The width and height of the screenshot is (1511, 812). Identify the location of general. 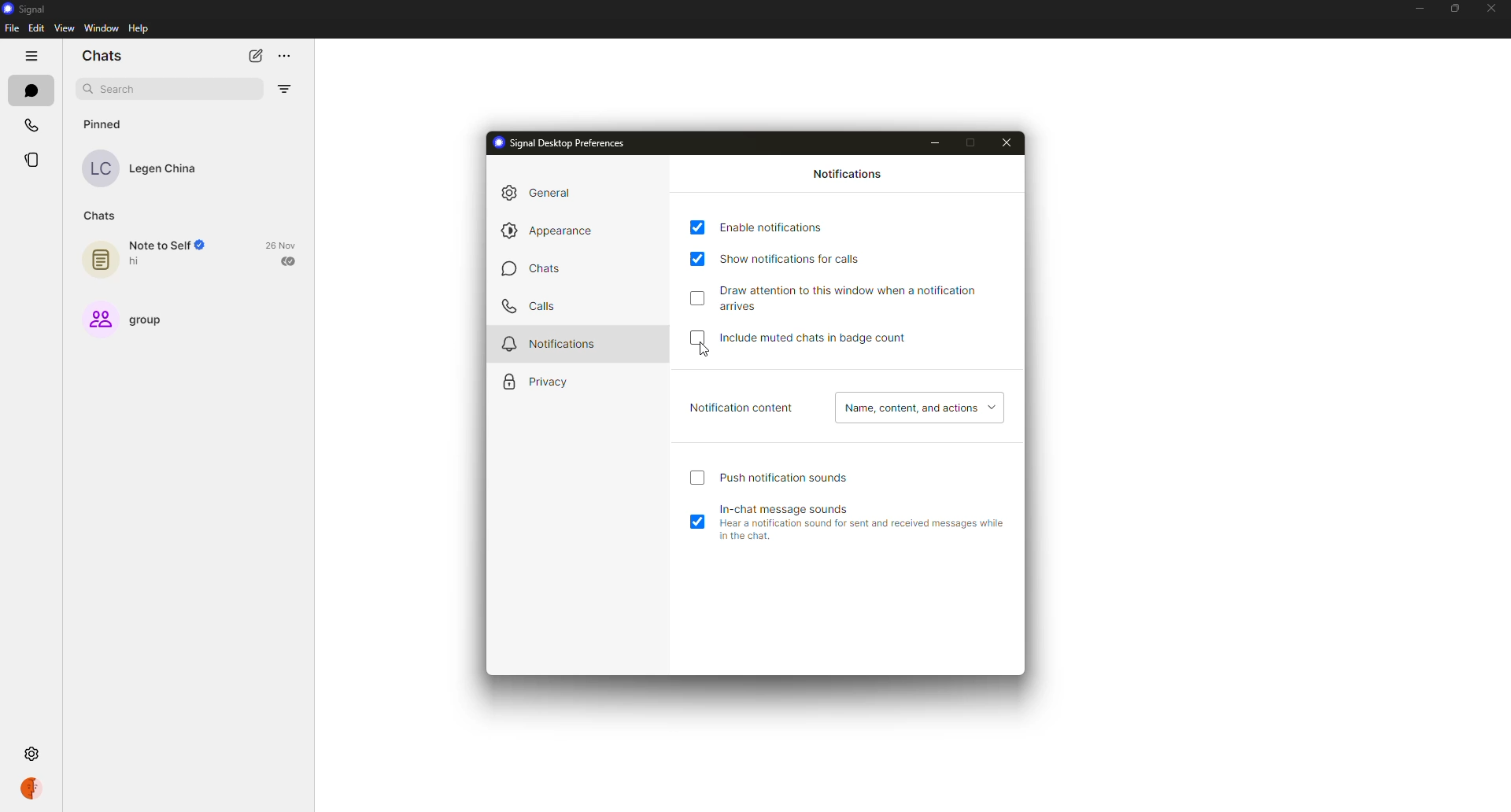
(535, 193).